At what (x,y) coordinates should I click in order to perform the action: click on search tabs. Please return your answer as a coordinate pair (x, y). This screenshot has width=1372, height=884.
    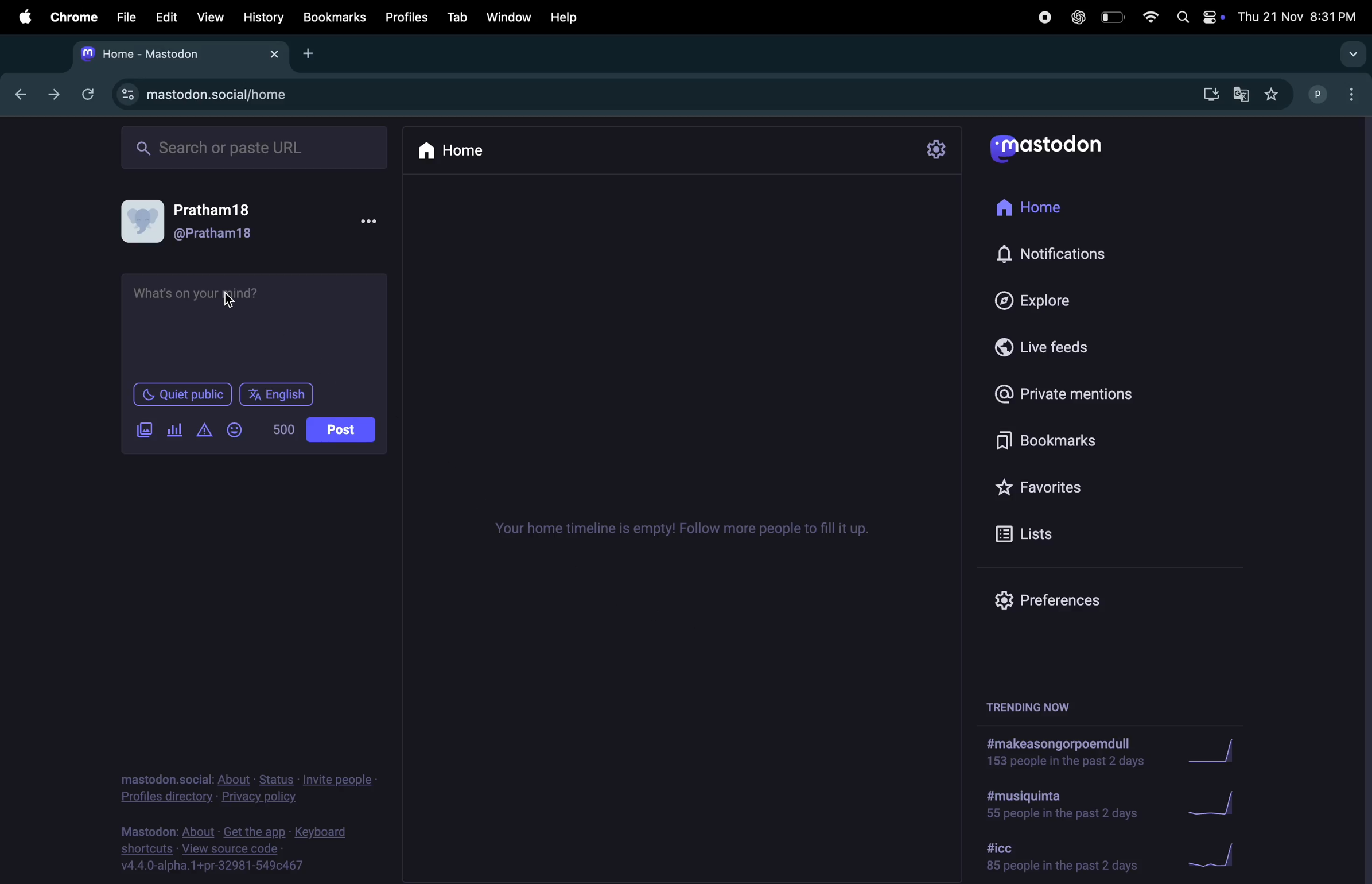
    Looking at the image, I should click on (1352, 54).